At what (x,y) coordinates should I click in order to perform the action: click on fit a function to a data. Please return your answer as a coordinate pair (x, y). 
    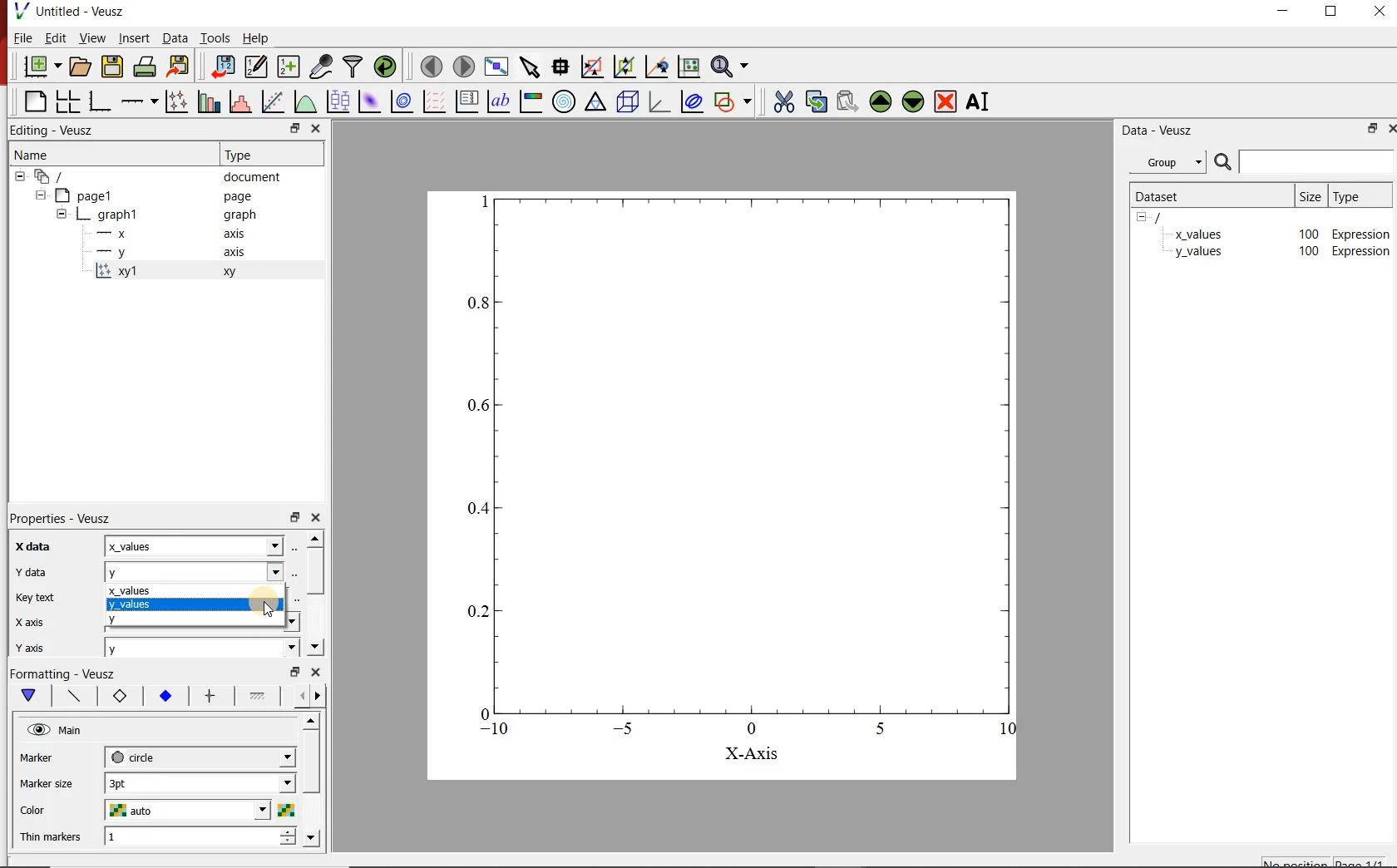
    Looking at the image, I should click on (273, 101).